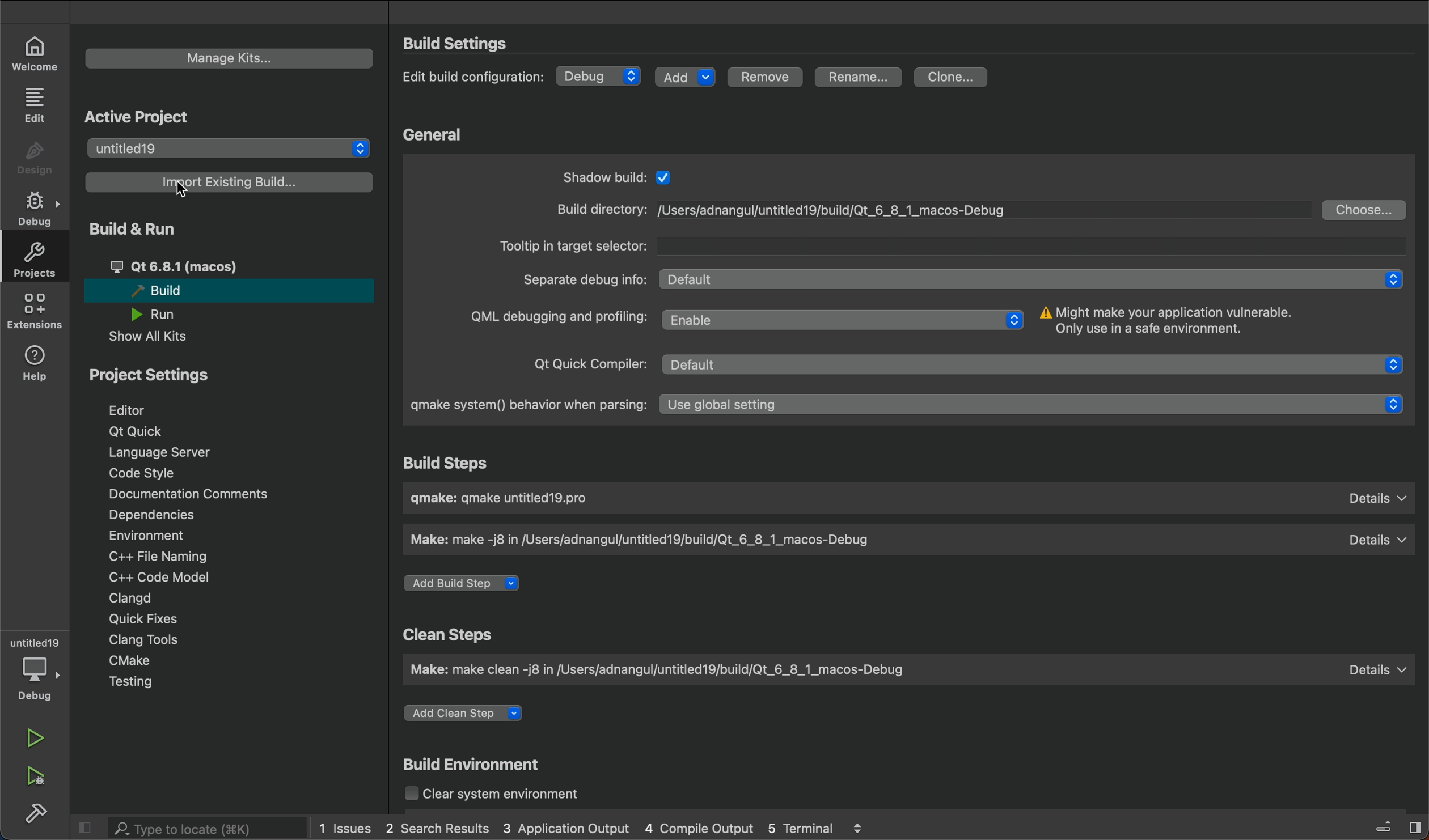 This screenshot has width=1429, height=840. I want to click on run debug, so click(37, 774).